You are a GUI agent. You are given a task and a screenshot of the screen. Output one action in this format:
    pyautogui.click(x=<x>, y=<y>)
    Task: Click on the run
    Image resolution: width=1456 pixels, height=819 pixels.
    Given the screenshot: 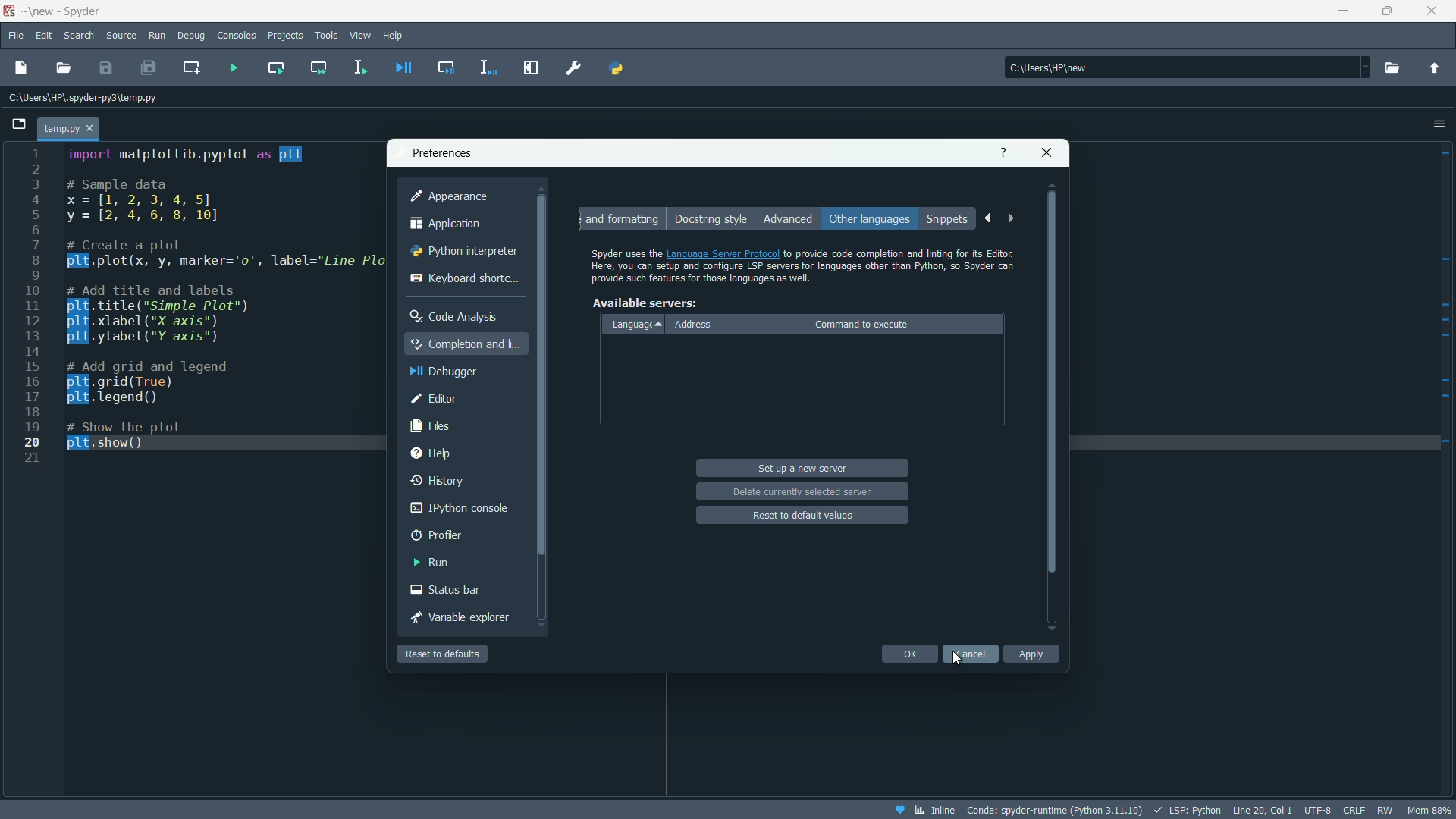 What is the action you would take?
    pyautogui.click(x=431, y=562)
    